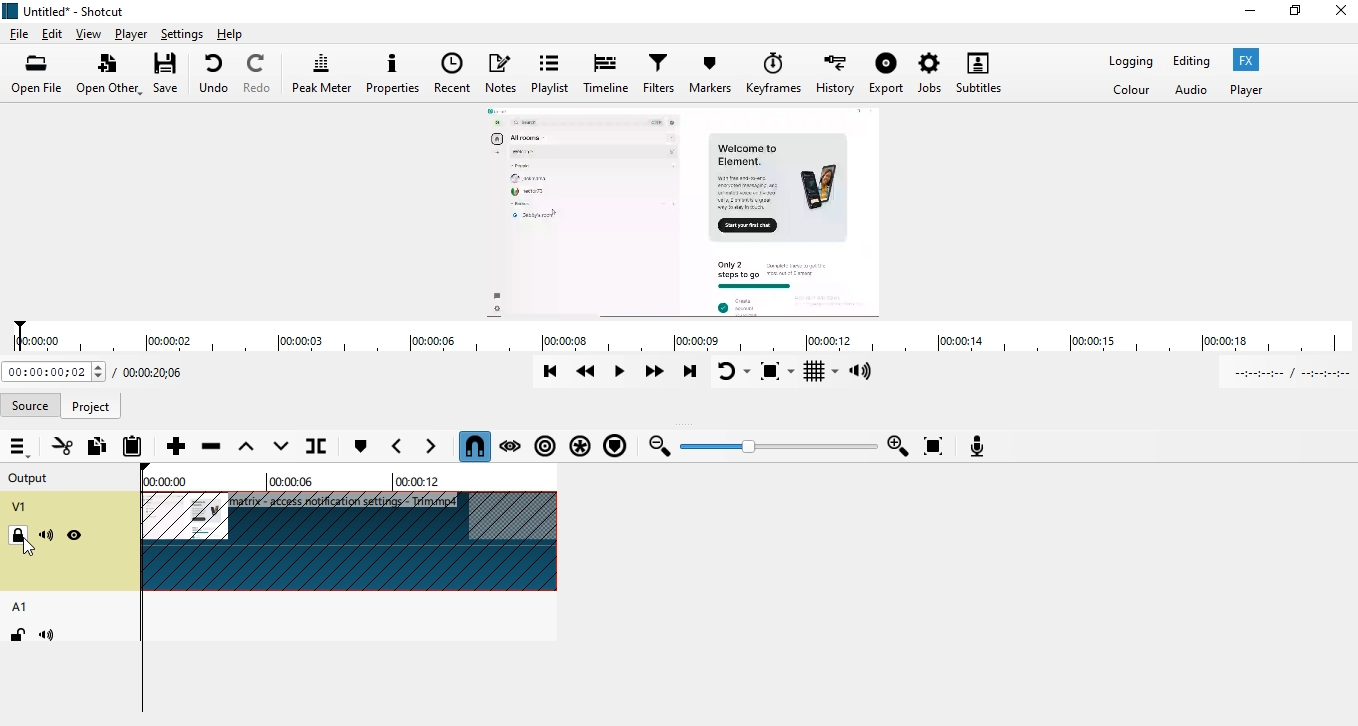 This screenshot has width=1358, height=726. I want to click on current position, so click(53, 373).